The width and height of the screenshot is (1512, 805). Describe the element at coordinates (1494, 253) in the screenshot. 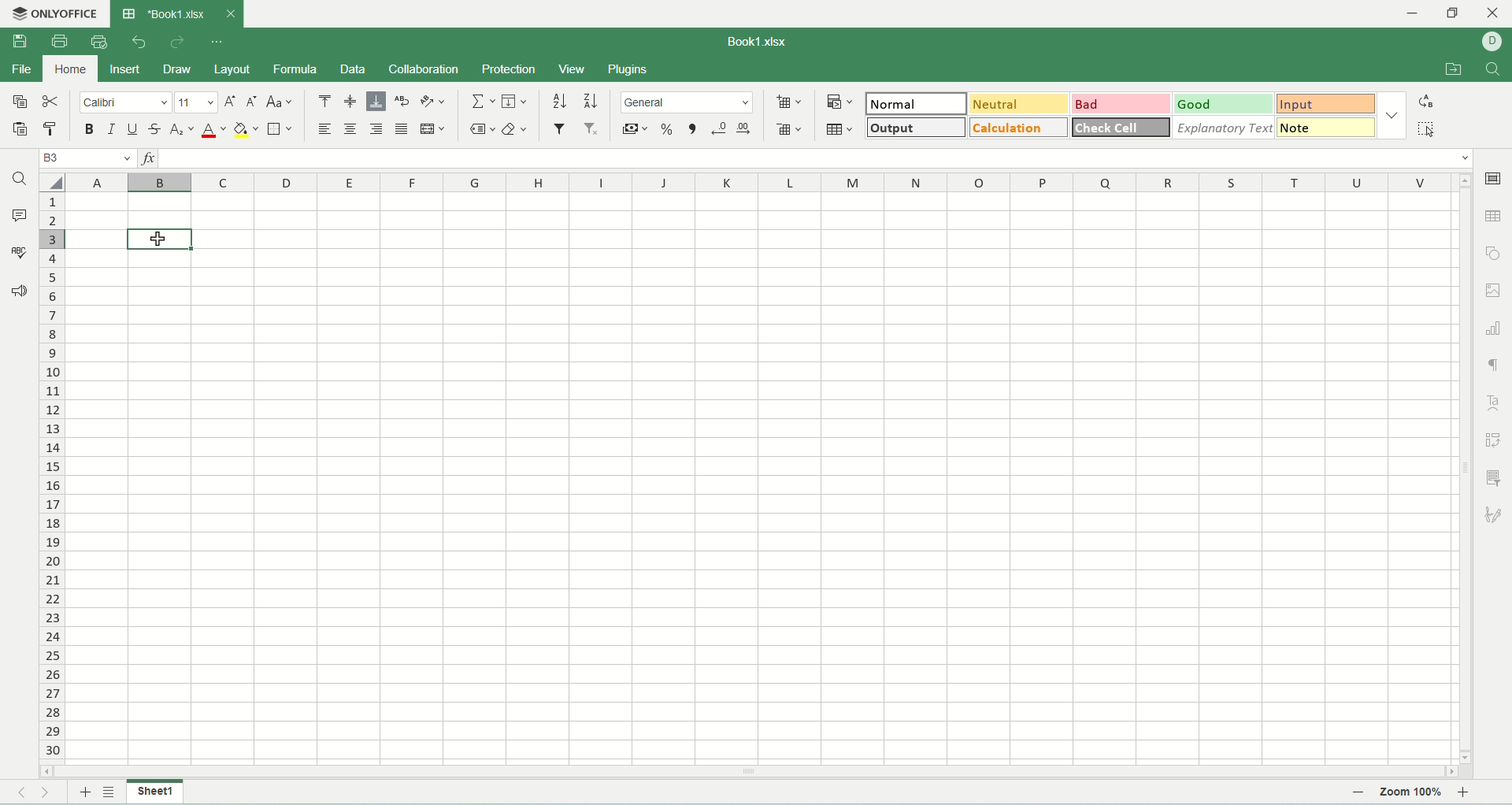

I see `object setting` at that location.